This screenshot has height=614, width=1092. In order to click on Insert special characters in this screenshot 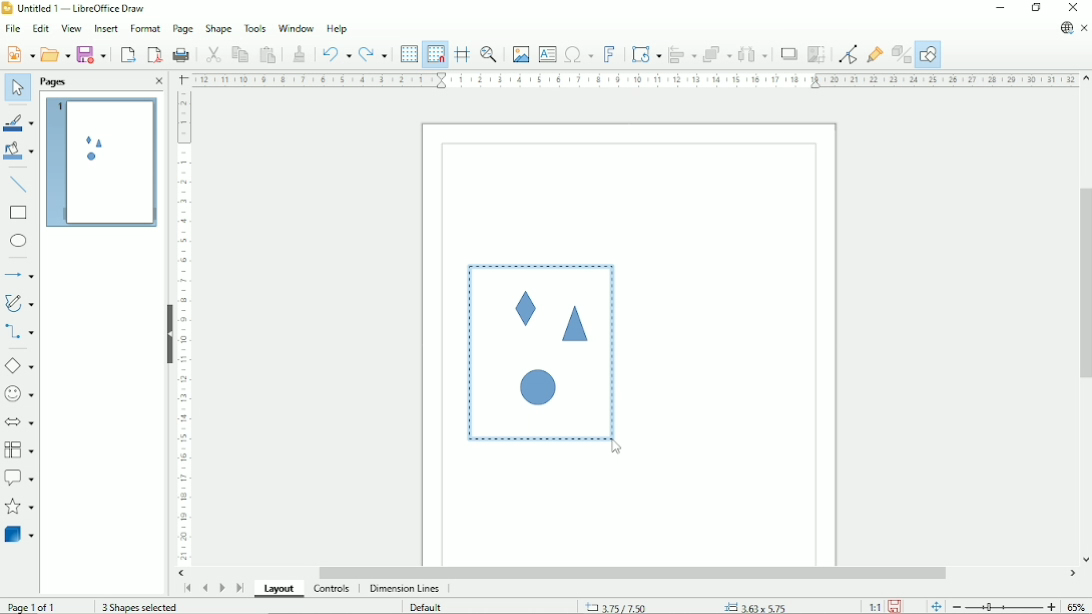, I will do `click(578, 54)`.